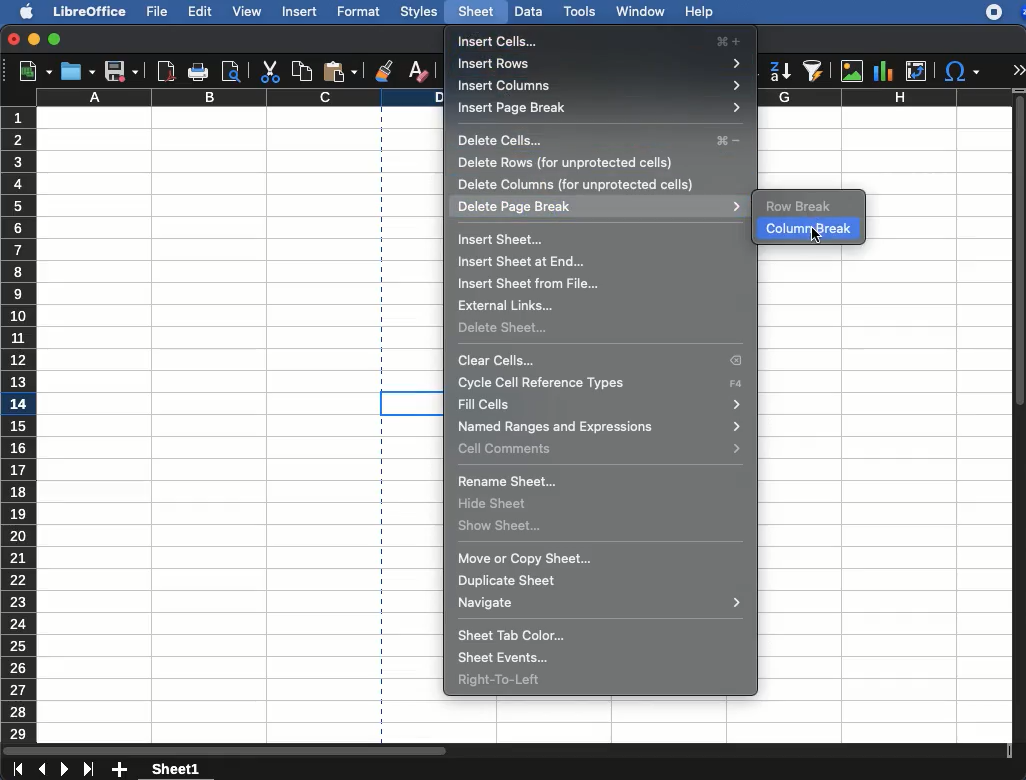  I want to click on open, so click(78, 70).